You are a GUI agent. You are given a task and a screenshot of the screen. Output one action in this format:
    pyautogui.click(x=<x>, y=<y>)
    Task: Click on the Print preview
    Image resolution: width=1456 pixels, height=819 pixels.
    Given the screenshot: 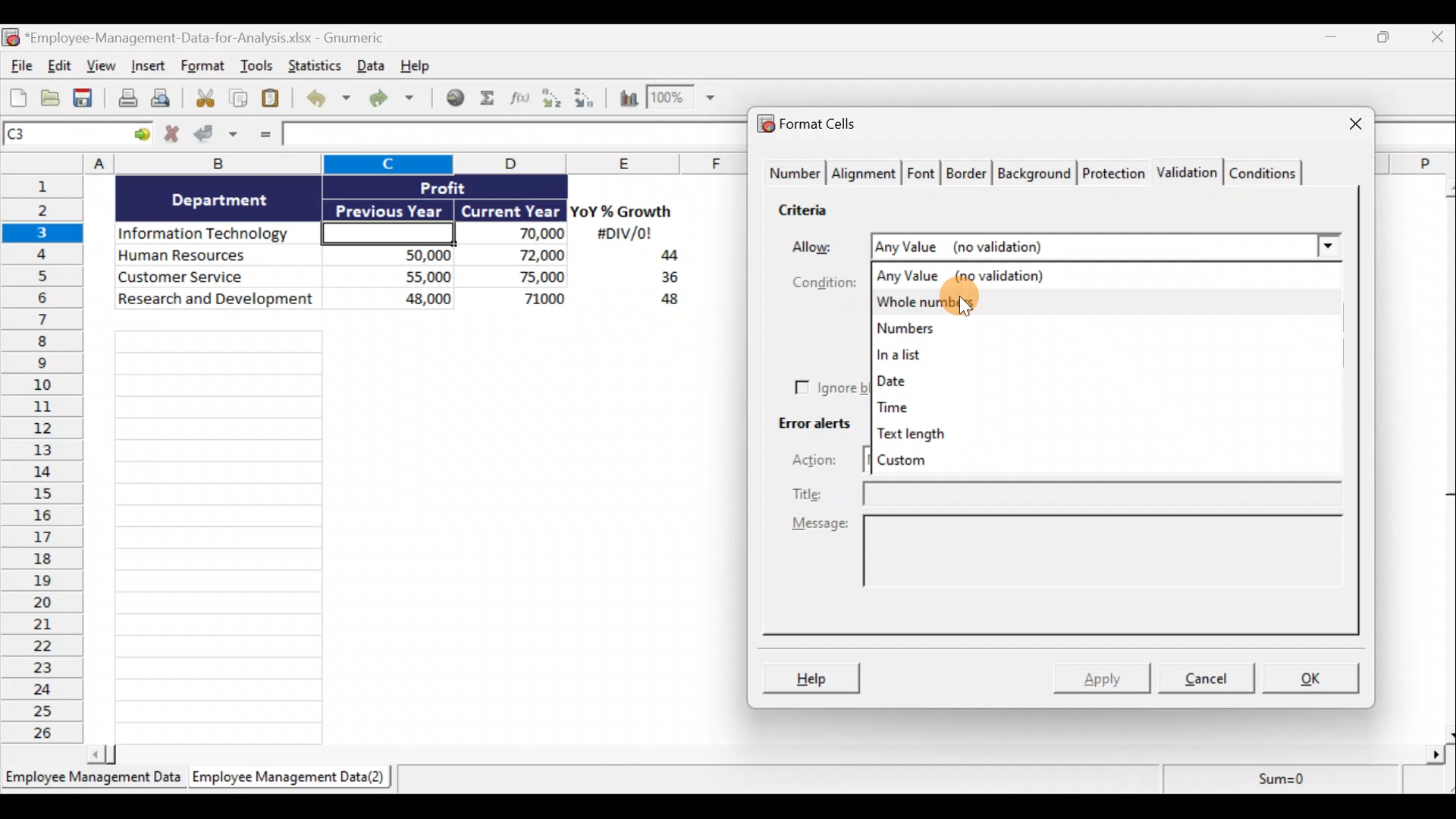 What is the action you would take?
    pyautogui.click(x=169, y=102)
    